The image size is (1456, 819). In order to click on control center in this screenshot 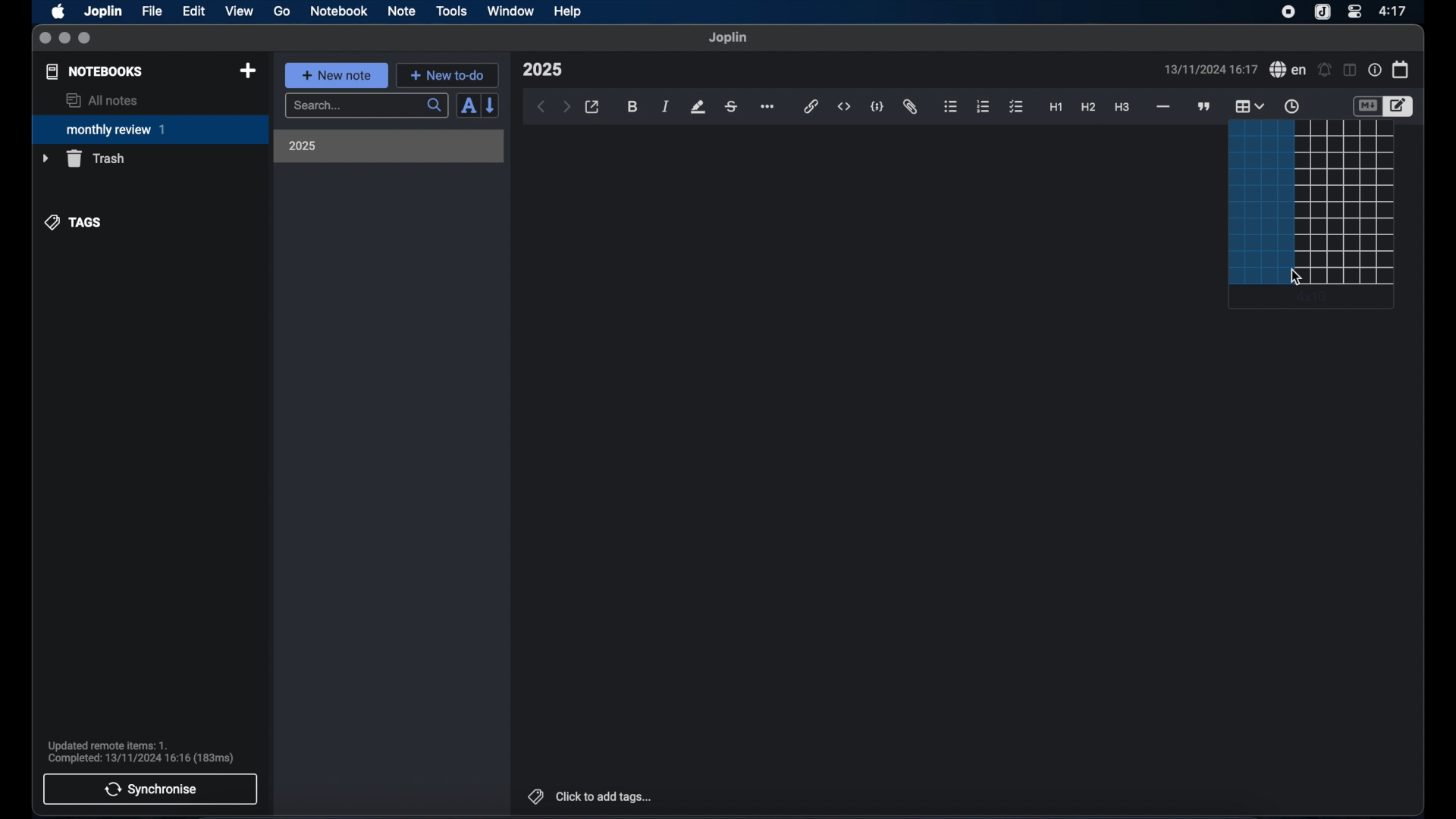, I will do `click(1354, 11)`.